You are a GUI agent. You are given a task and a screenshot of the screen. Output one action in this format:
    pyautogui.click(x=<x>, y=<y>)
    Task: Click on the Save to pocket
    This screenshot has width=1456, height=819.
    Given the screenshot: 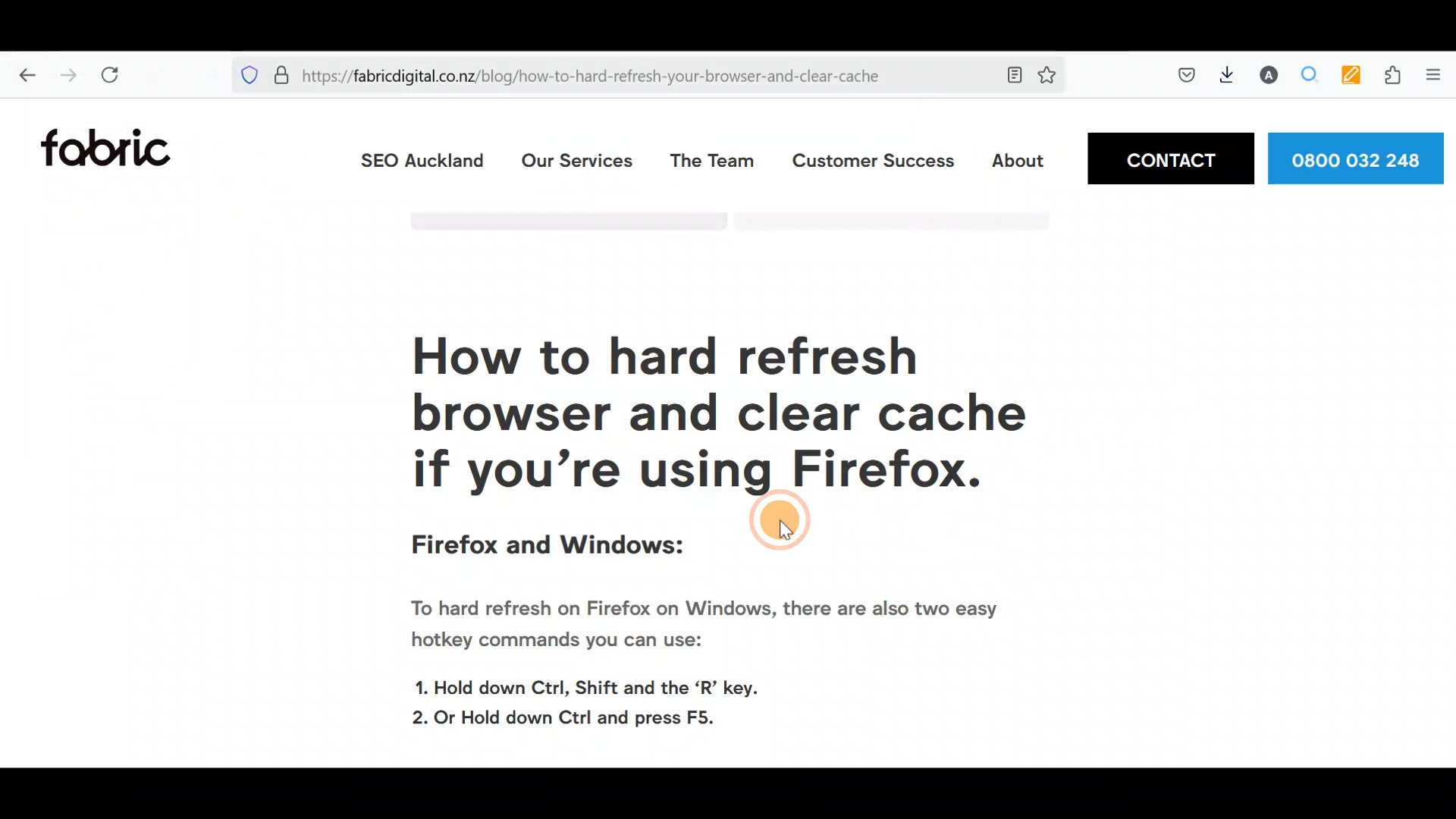 What is the action you would take?
    pyautogui.click(x=1184, y=77)
    